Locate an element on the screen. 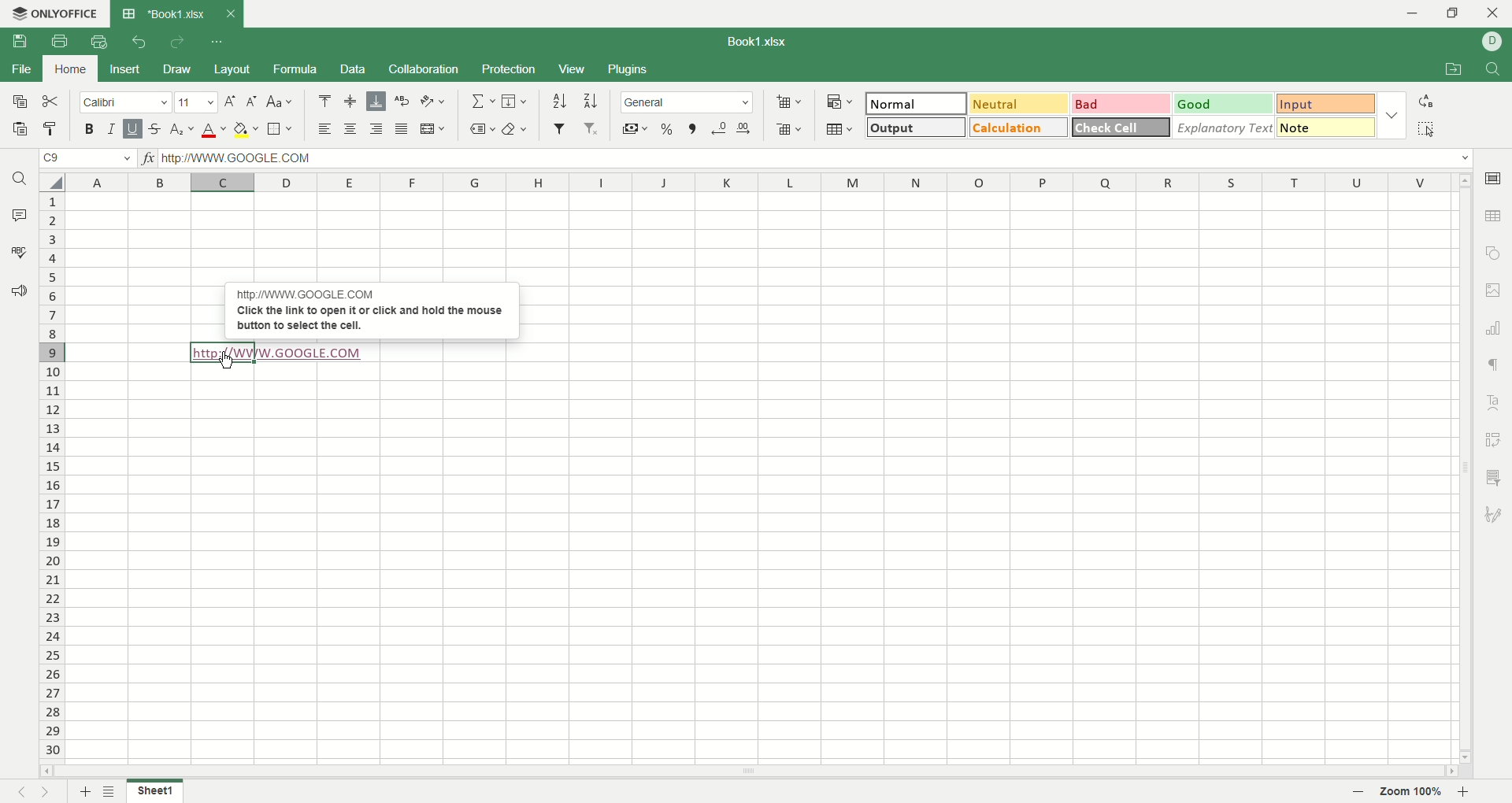 Image resolution: width=1512 pixels, height=803 pixels. font size is located at coordinates (198, 102).